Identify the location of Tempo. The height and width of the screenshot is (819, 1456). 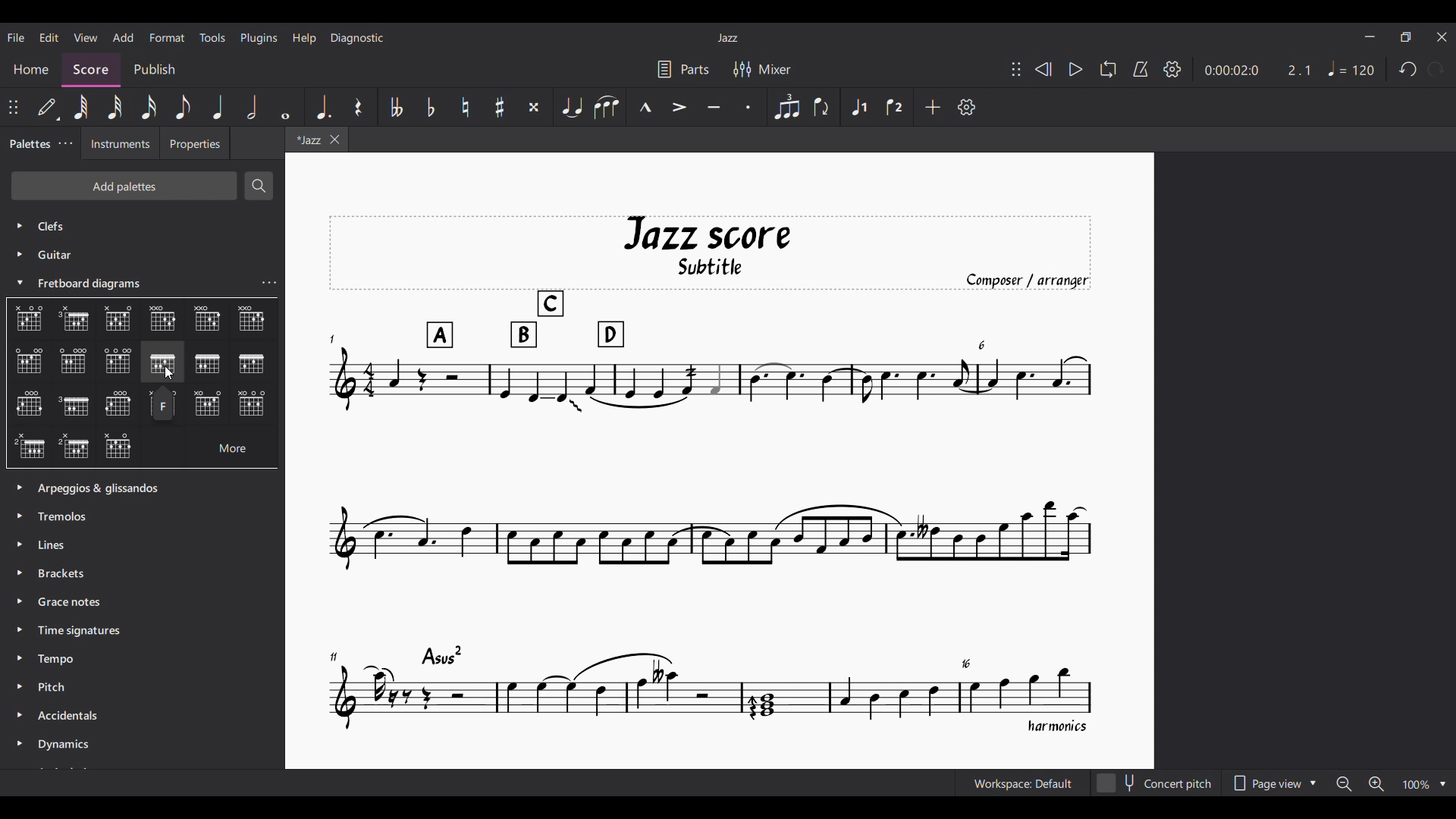
(63, 661).